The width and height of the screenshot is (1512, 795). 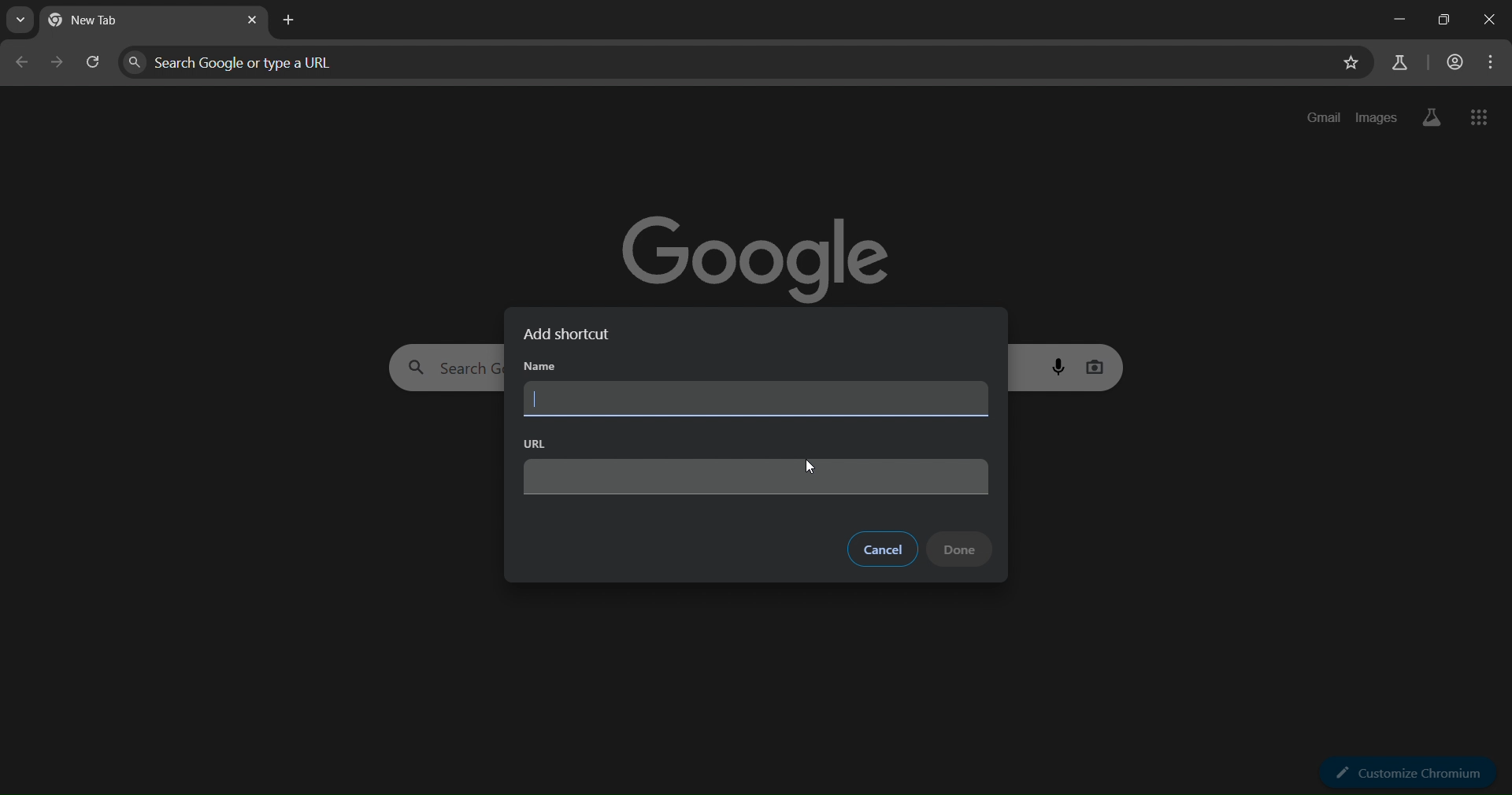 What do you see at coordinates (1377, 115) in the screenshot?
I see `images` at bounding box center [1377, 115].